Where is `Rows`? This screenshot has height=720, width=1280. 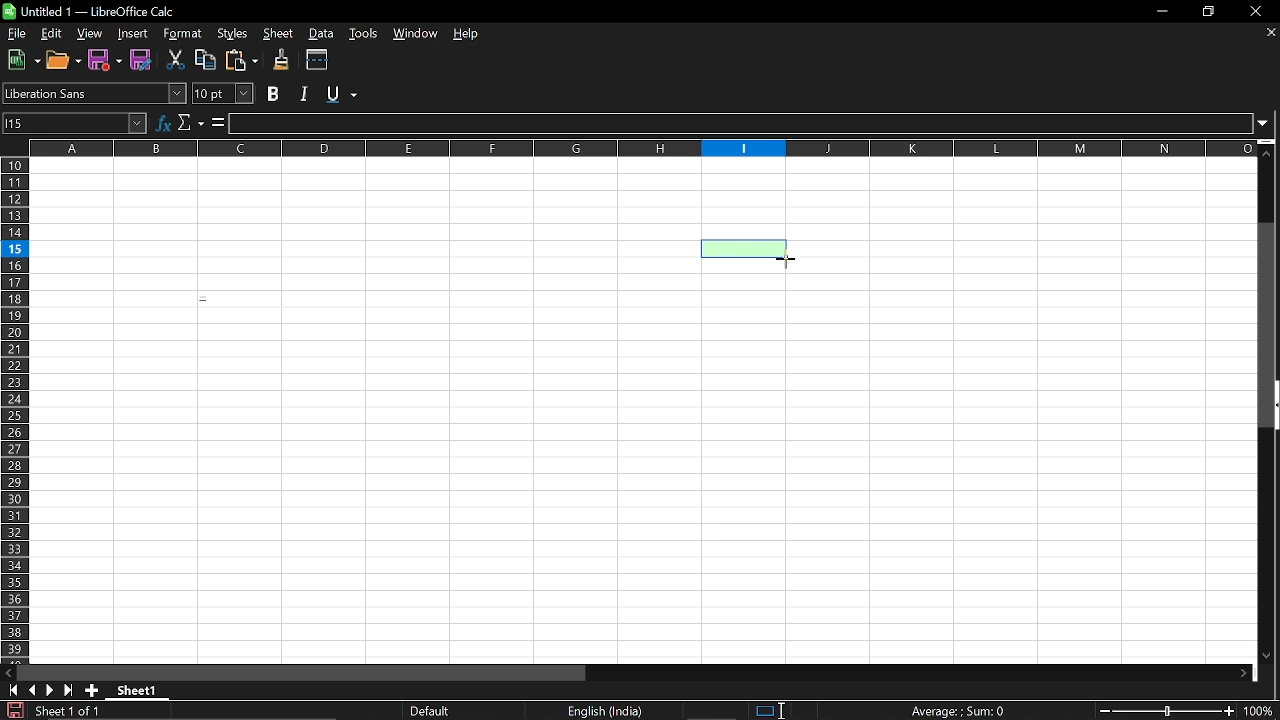
Rows is located at coordinates (14, 409).